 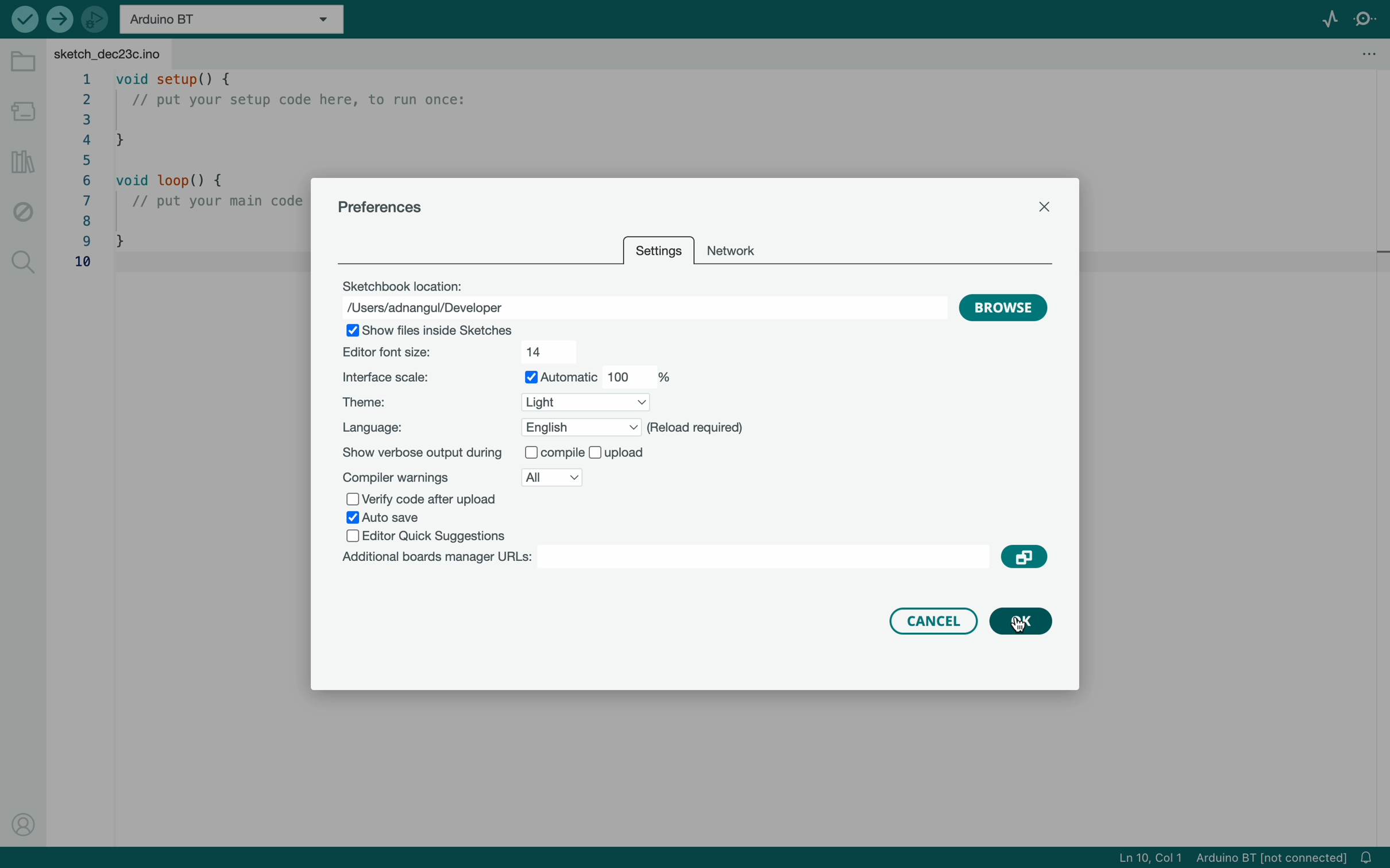 What do you see at coordinates (384, 208) in the screenshot?
I see `preferences` at bounding box center [384, 208].